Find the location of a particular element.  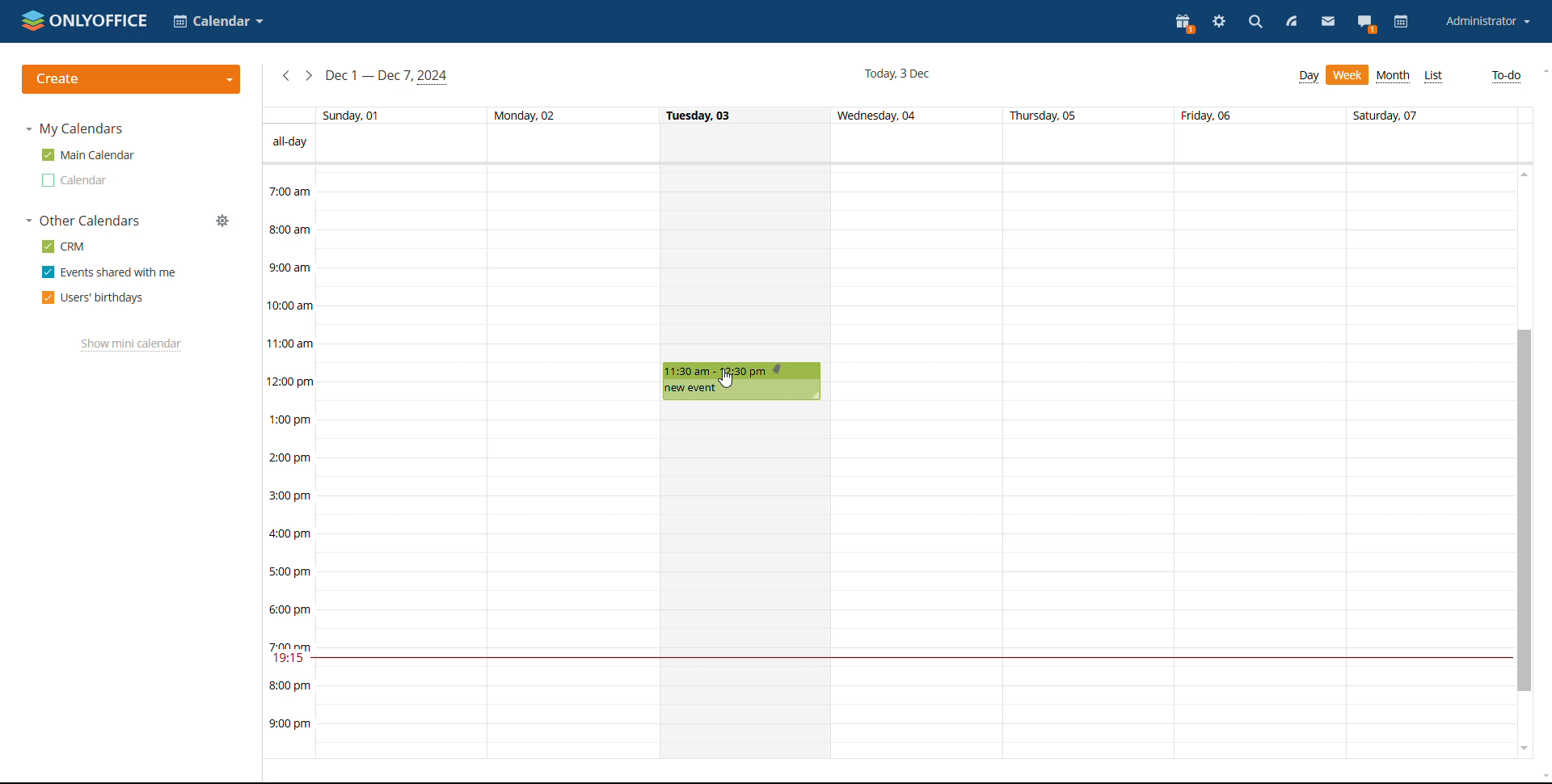

7:00 pm is located at coordinates (290, 645).